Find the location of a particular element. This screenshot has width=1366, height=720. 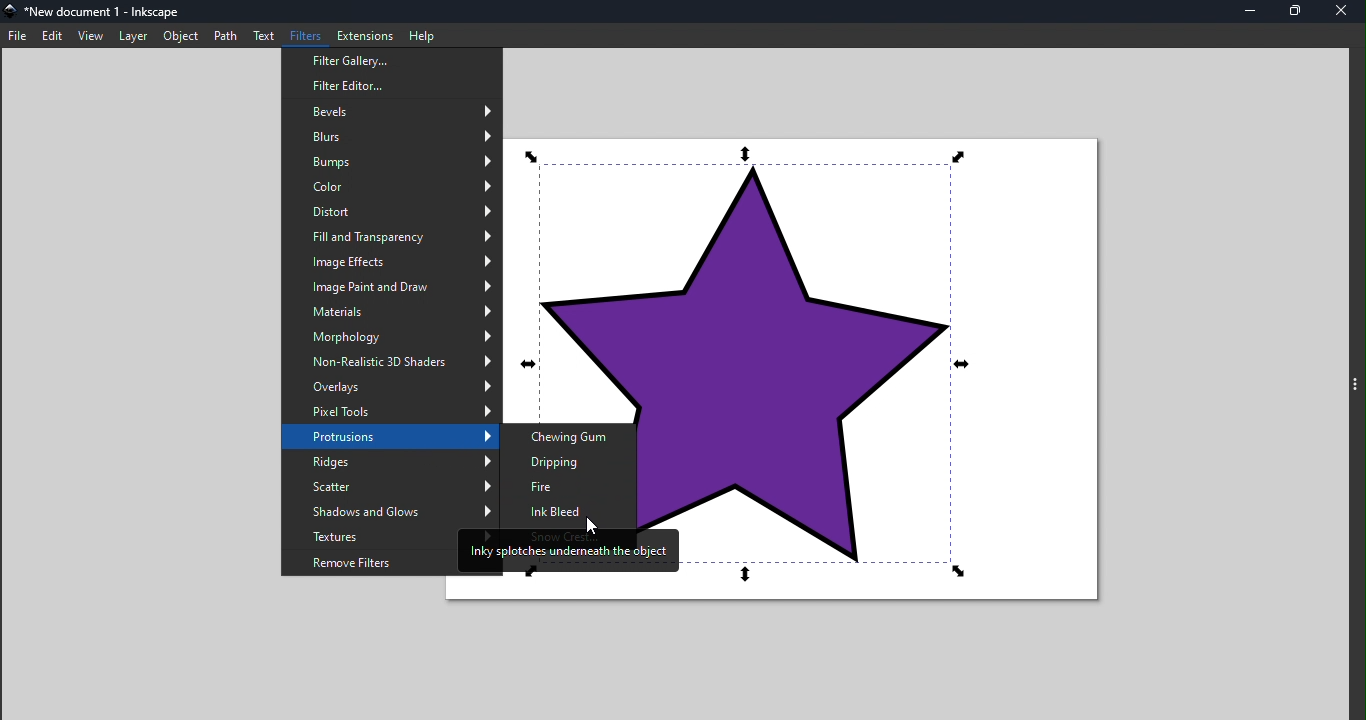

Pixels is located at coordinates (392, 414).